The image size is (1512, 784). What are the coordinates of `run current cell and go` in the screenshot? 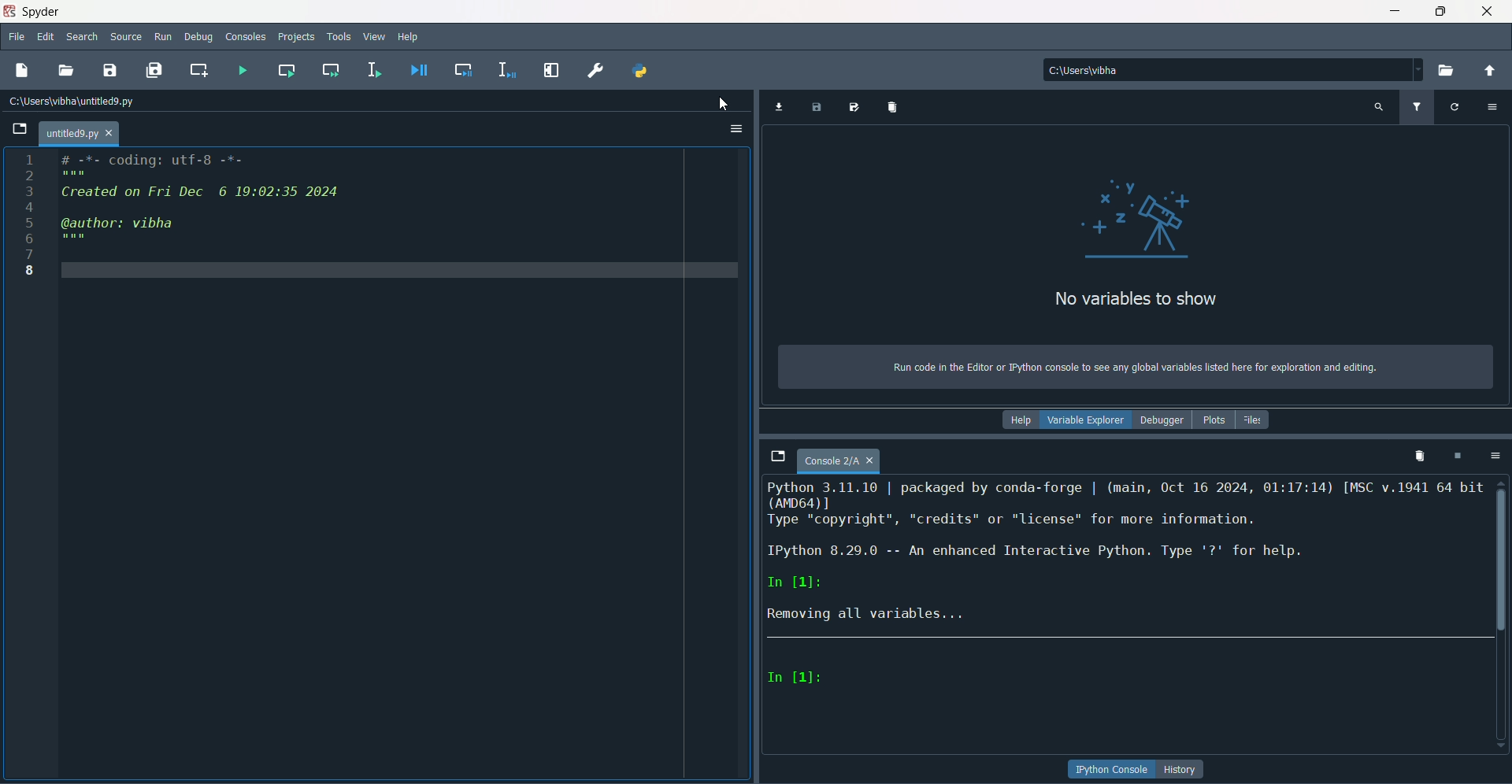 It's located at (330, 69).